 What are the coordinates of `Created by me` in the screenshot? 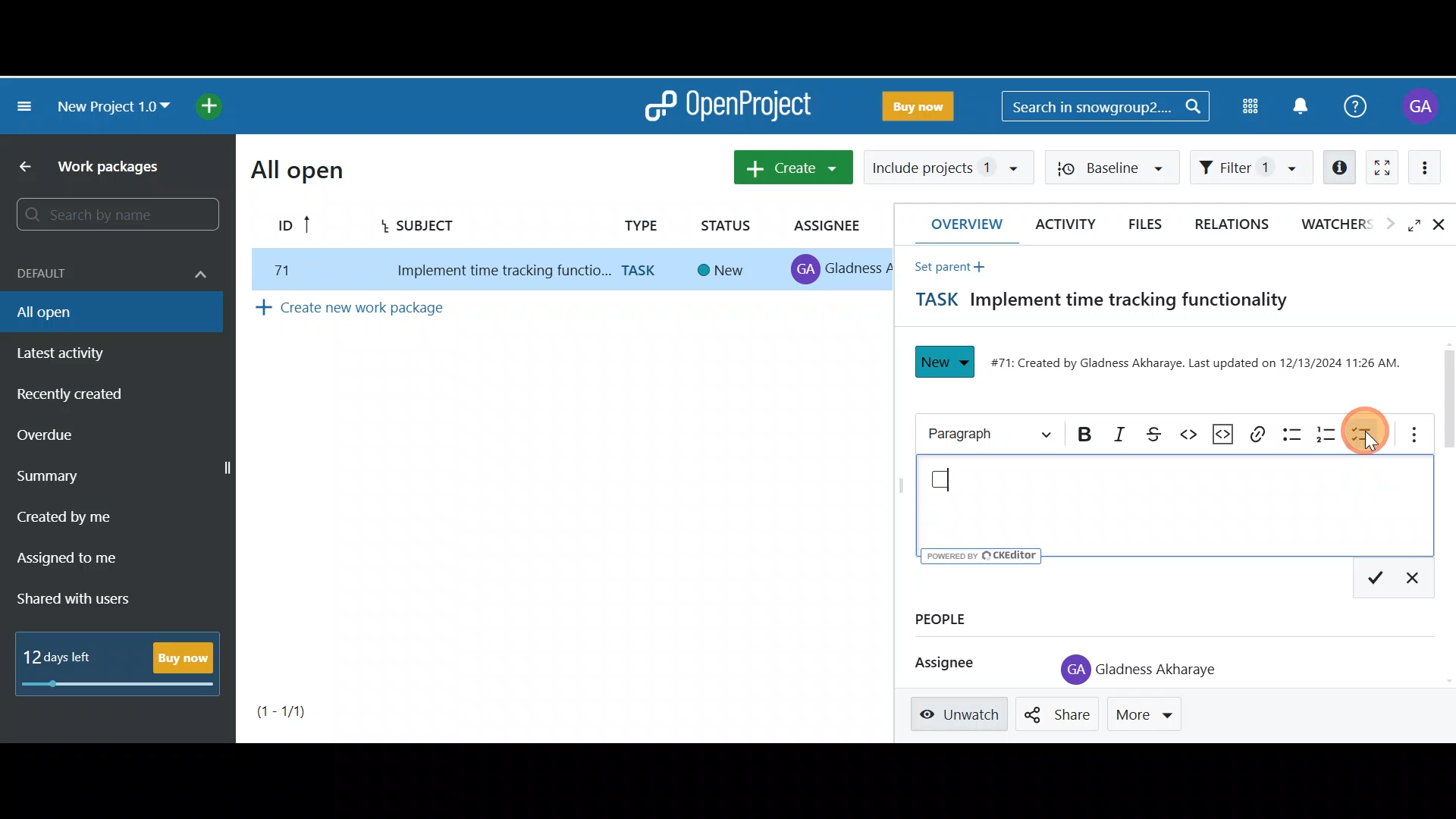 It's located at (85, 511).